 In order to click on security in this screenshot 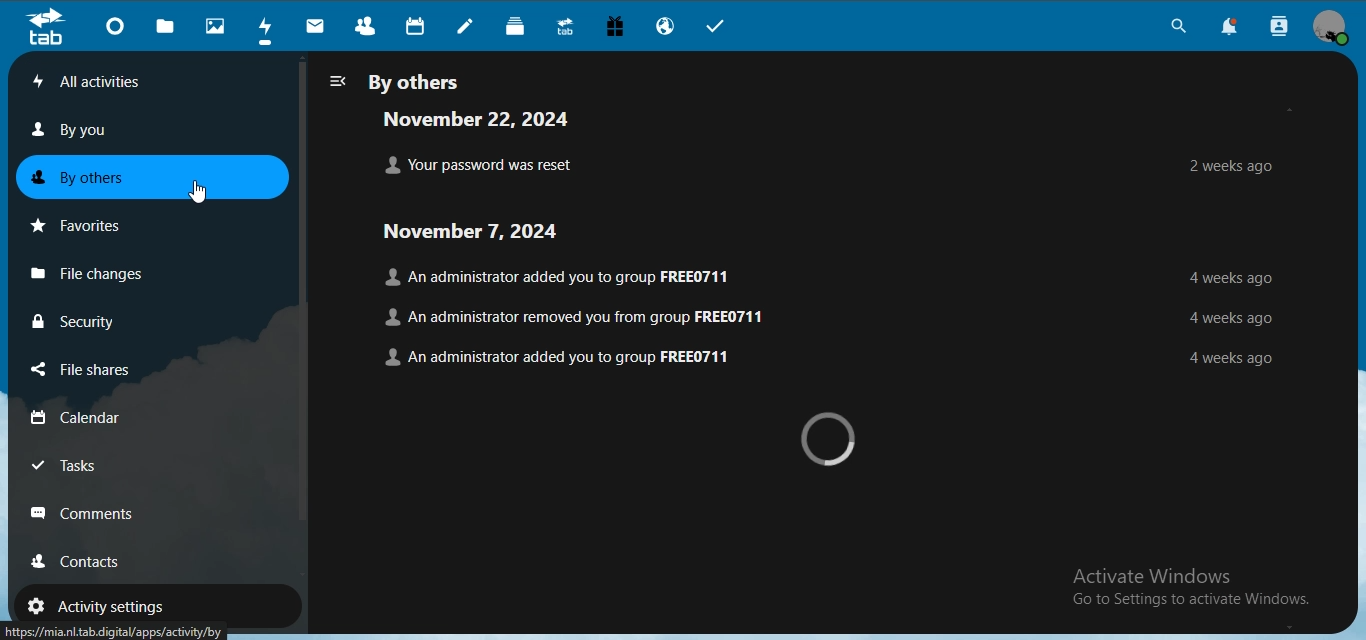, I will do `click(78, 320)`.